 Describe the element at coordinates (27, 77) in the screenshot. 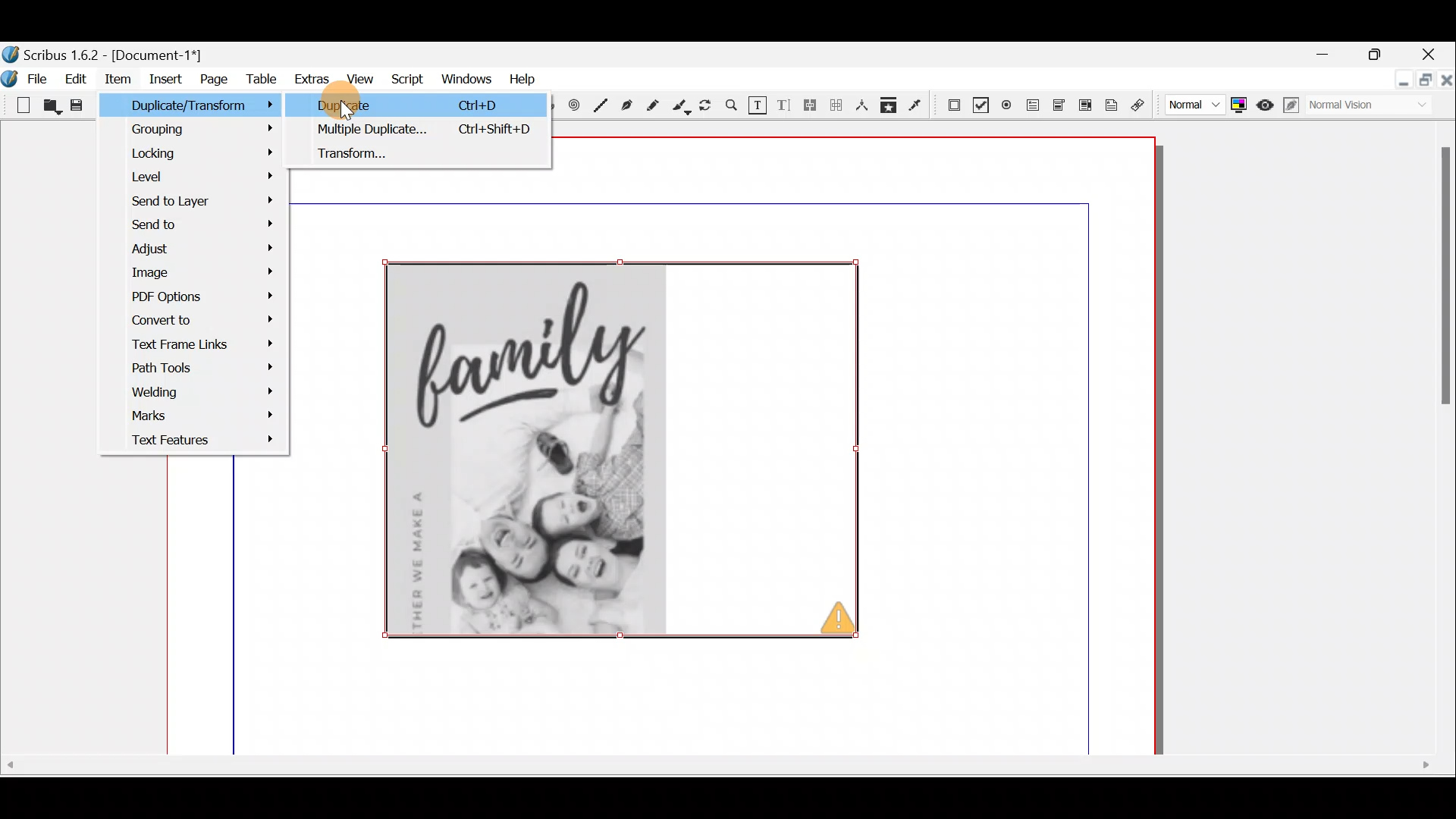

I see `File` at that location.